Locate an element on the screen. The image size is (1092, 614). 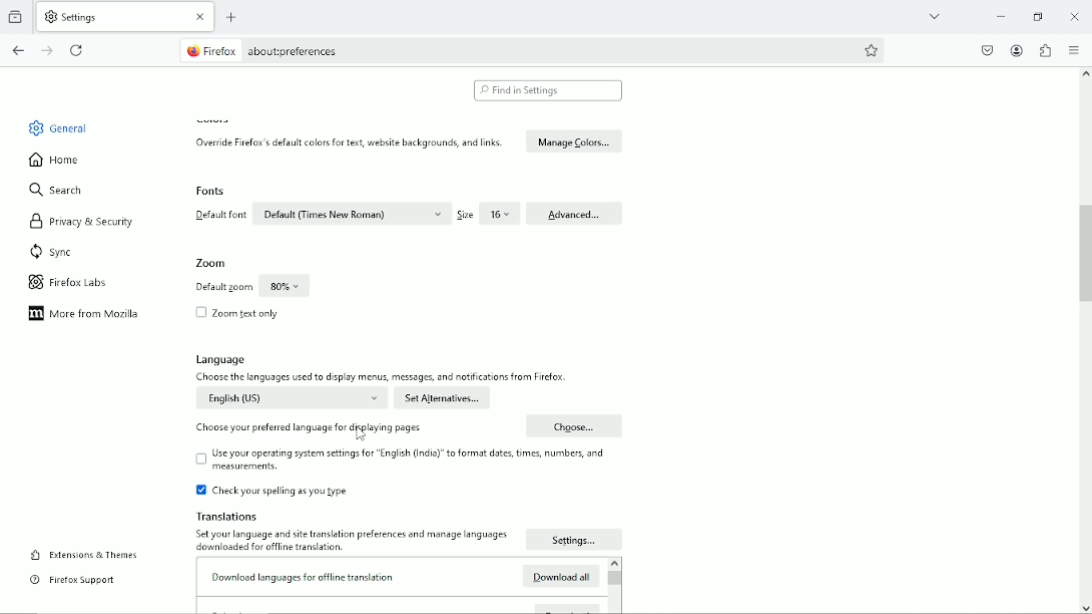
More from Mozilla is located at coordinates (98, 313).